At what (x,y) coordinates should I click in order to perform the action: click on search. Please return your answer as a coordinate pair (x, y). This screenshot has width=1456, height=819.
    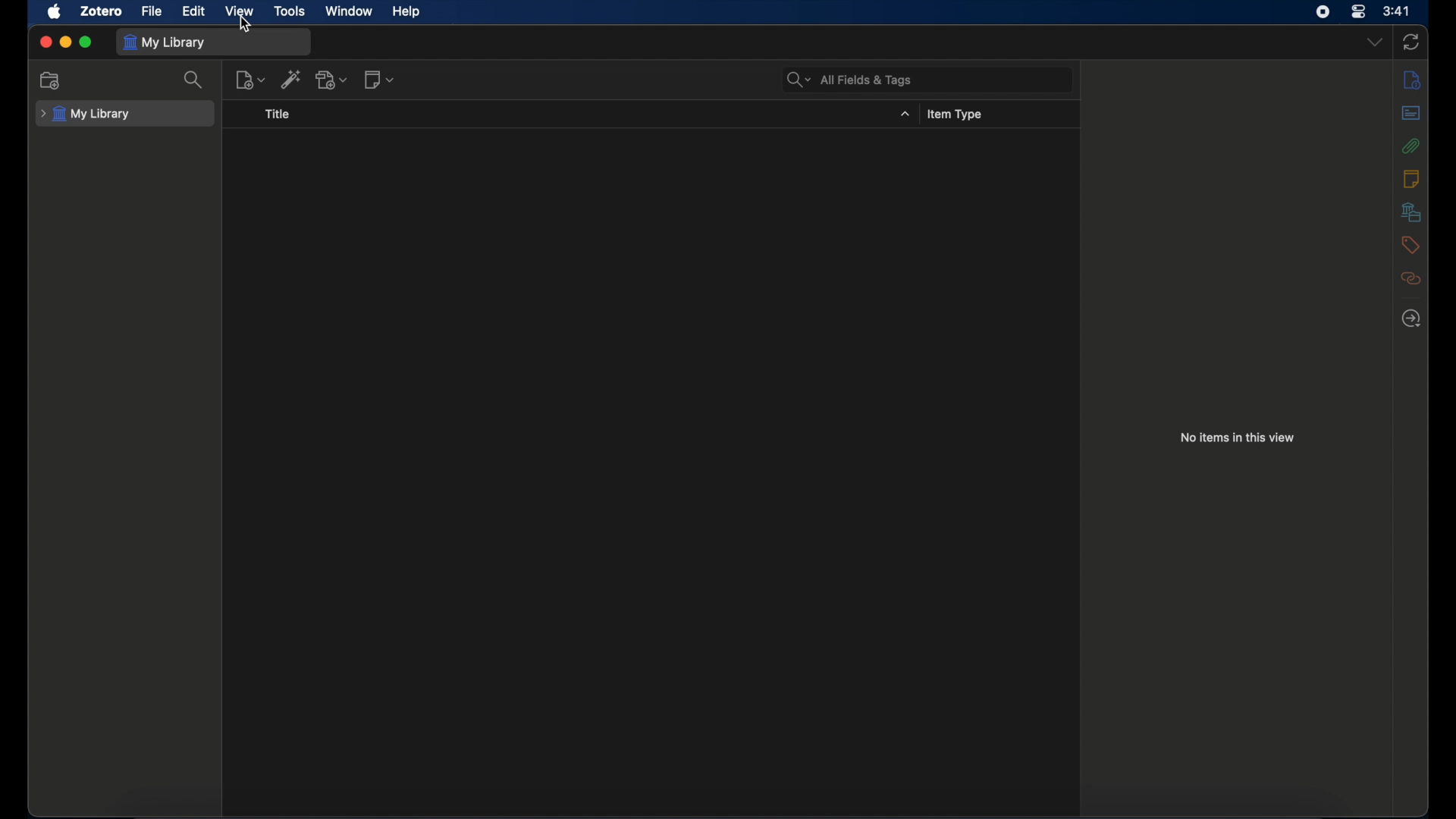
    Looking at the image, I should click on (194, 80).